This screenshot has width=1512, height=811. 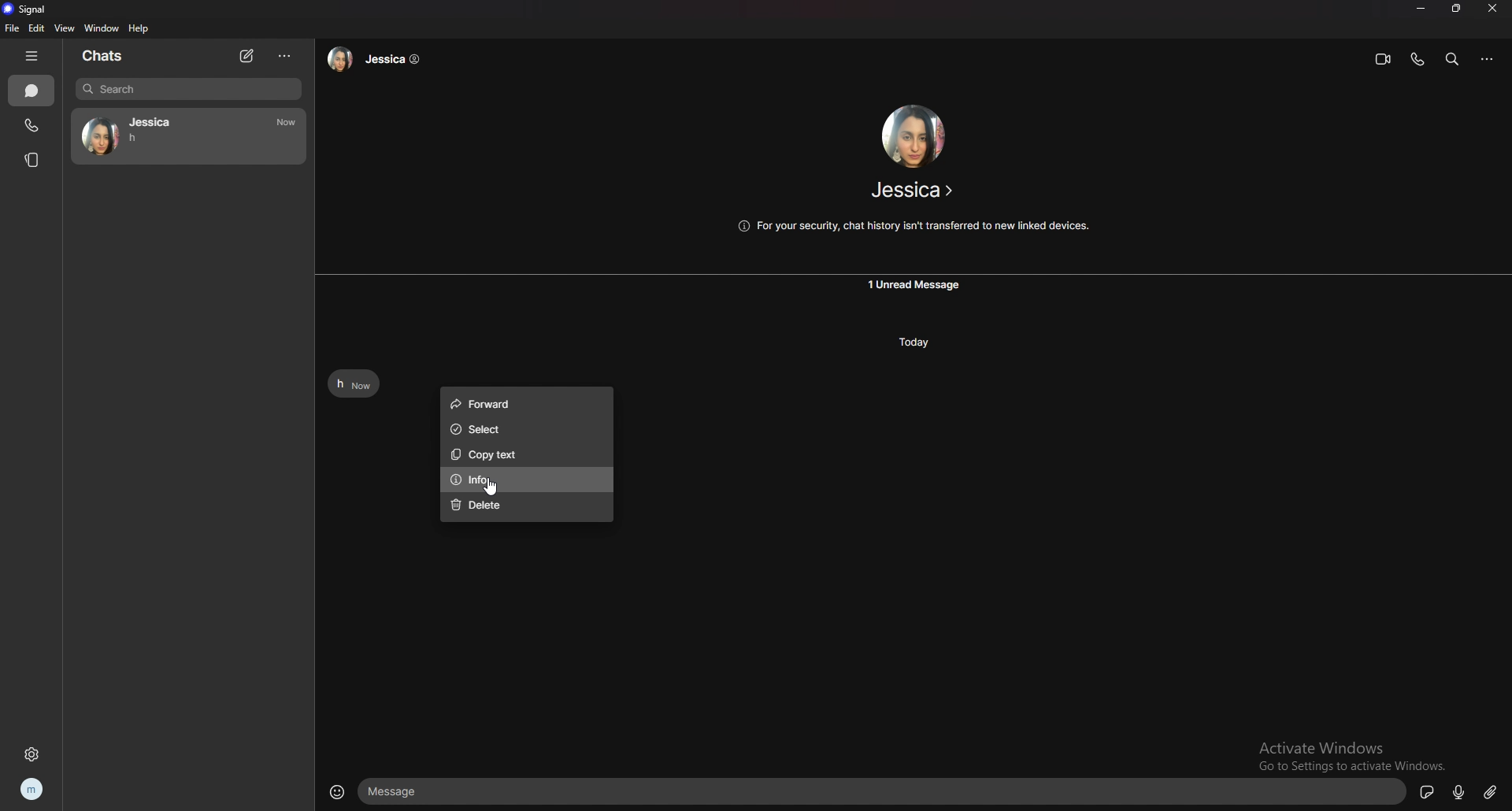 I want to click on hide tabs, so click(x=32, y=54).